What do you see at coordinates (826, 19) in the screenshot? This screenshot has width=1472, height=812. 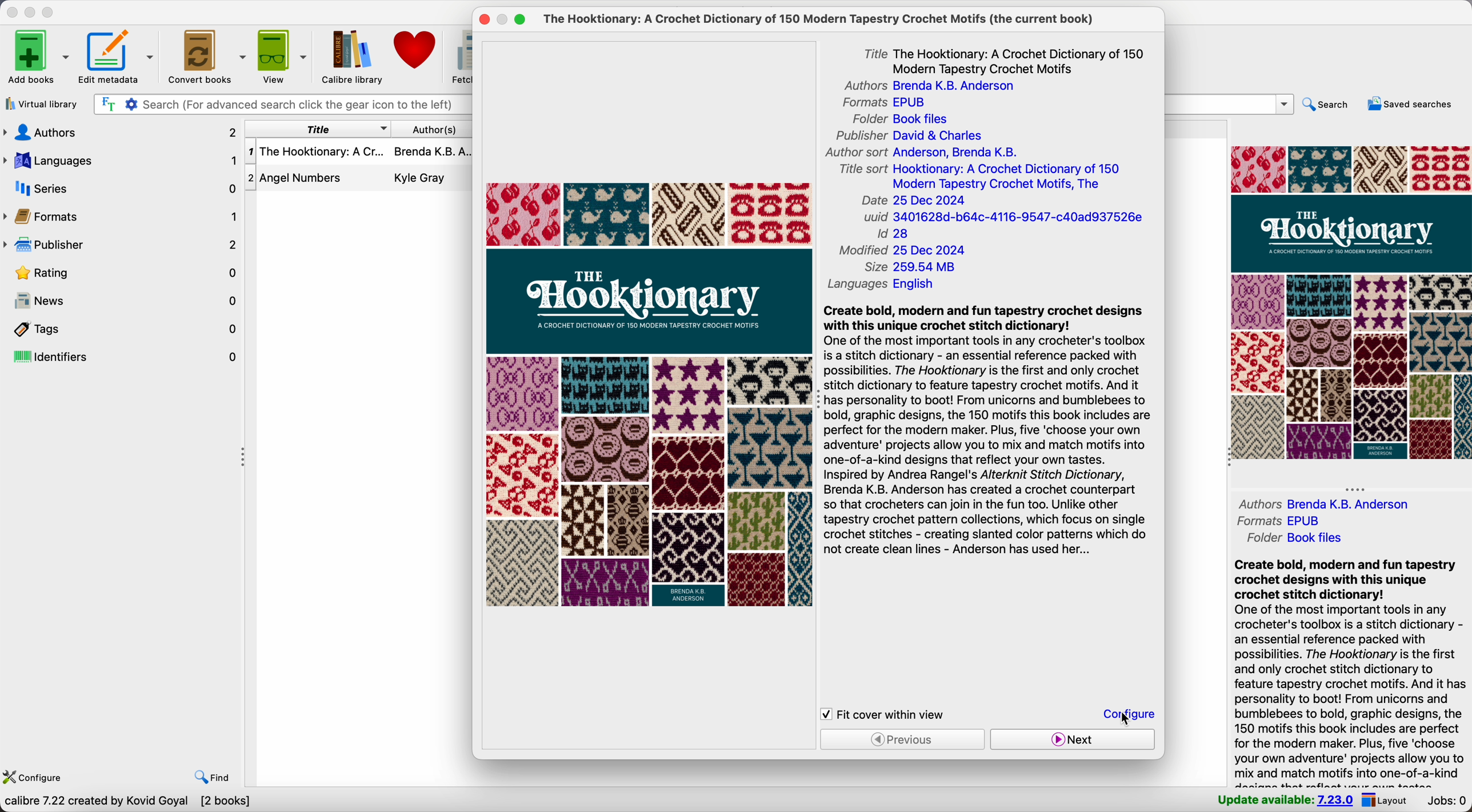 I see `current book` at bounding box center [826, 19].